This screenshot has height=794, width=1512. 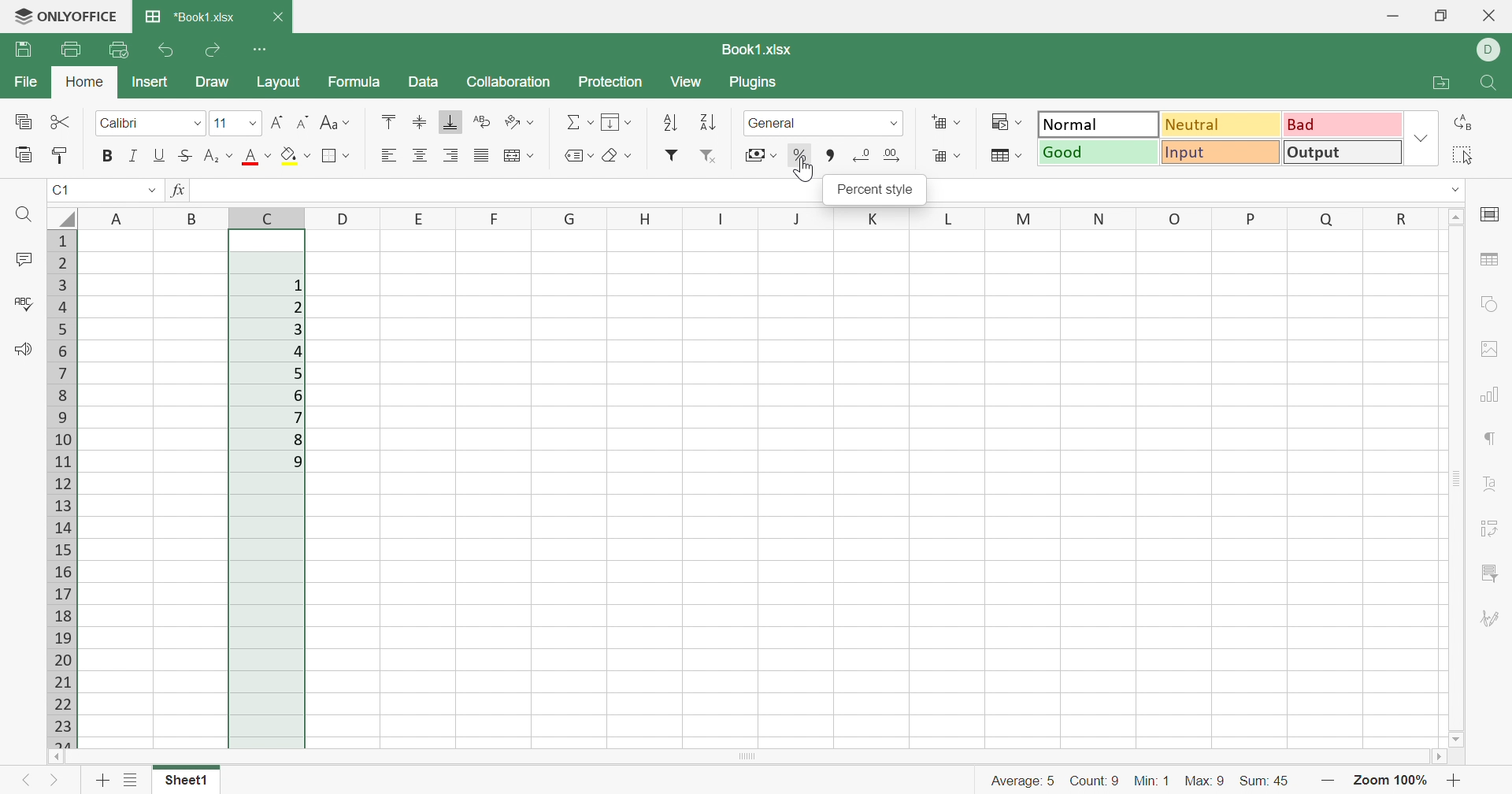 What do you see at coordinates (280, 123) in the screenshot?
I see `Increment font size` at bounding box center [280, 123].